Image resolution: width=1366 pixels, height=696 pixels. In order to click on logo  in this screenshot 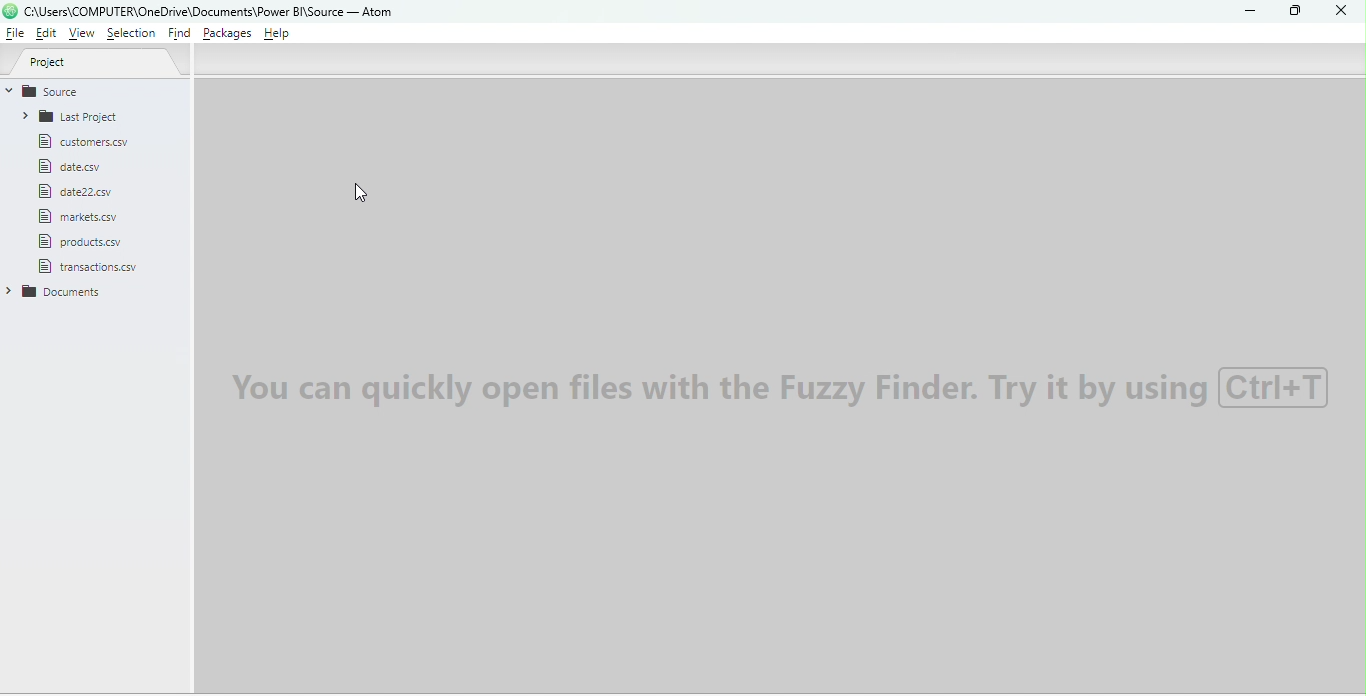, I will do `click(10, 11)`.